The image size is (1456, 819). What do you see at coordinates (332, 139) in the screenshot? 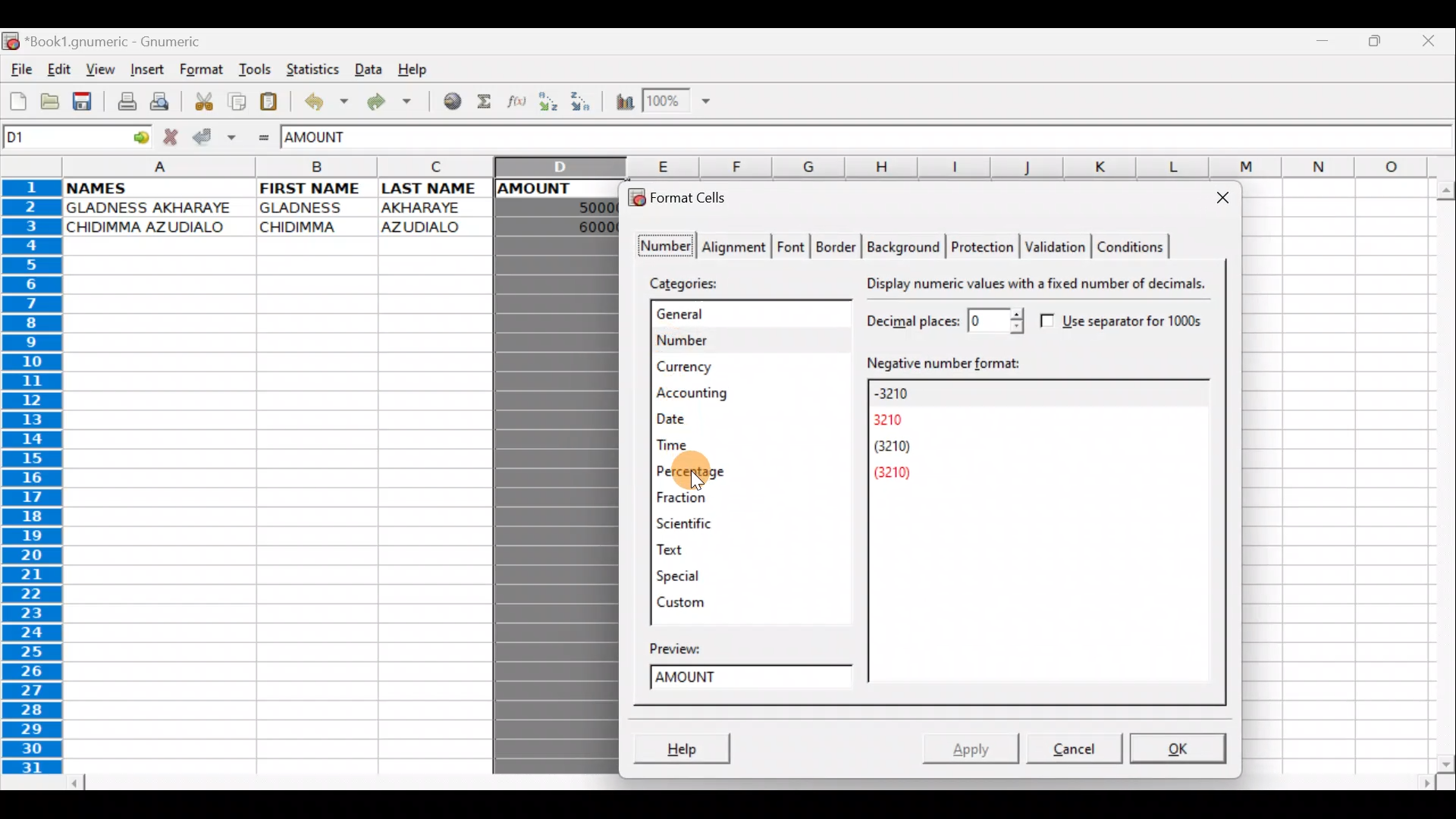
I see `AMOUNT` at bounding box center [332, 139].